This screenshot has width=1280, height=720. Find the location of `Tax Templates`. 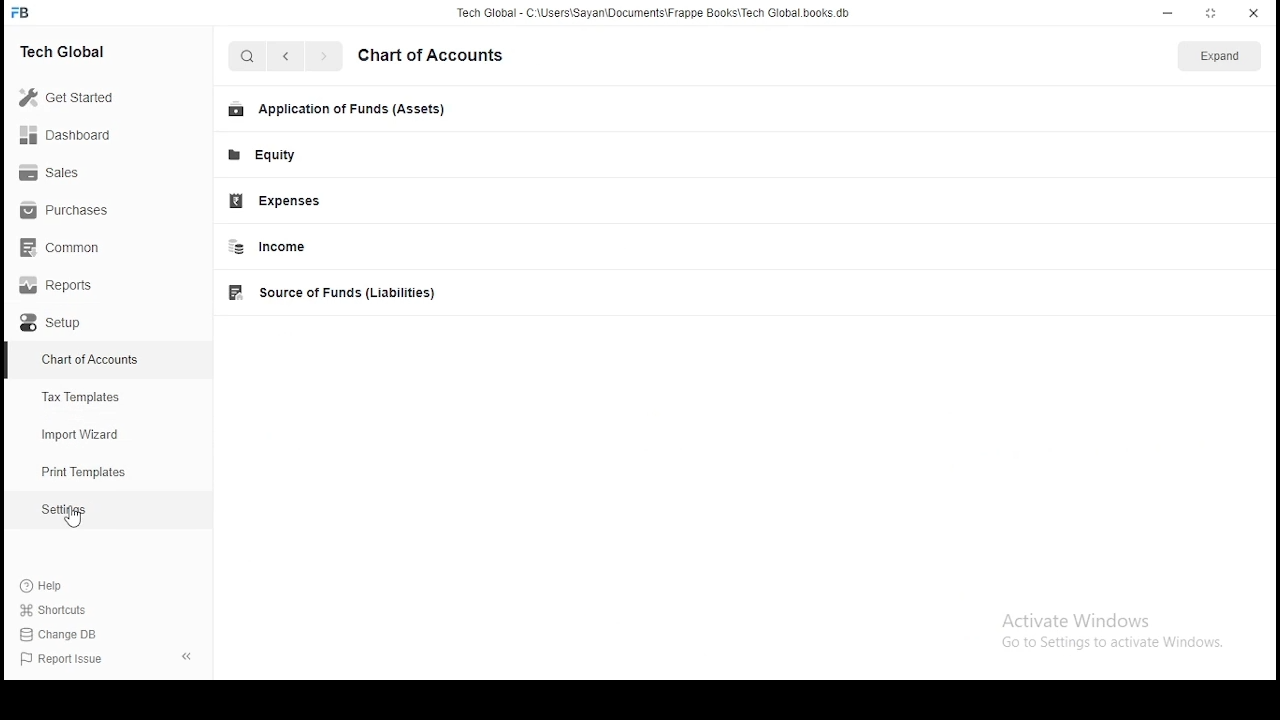

Tax Templates is located at coordinates (86, 399).